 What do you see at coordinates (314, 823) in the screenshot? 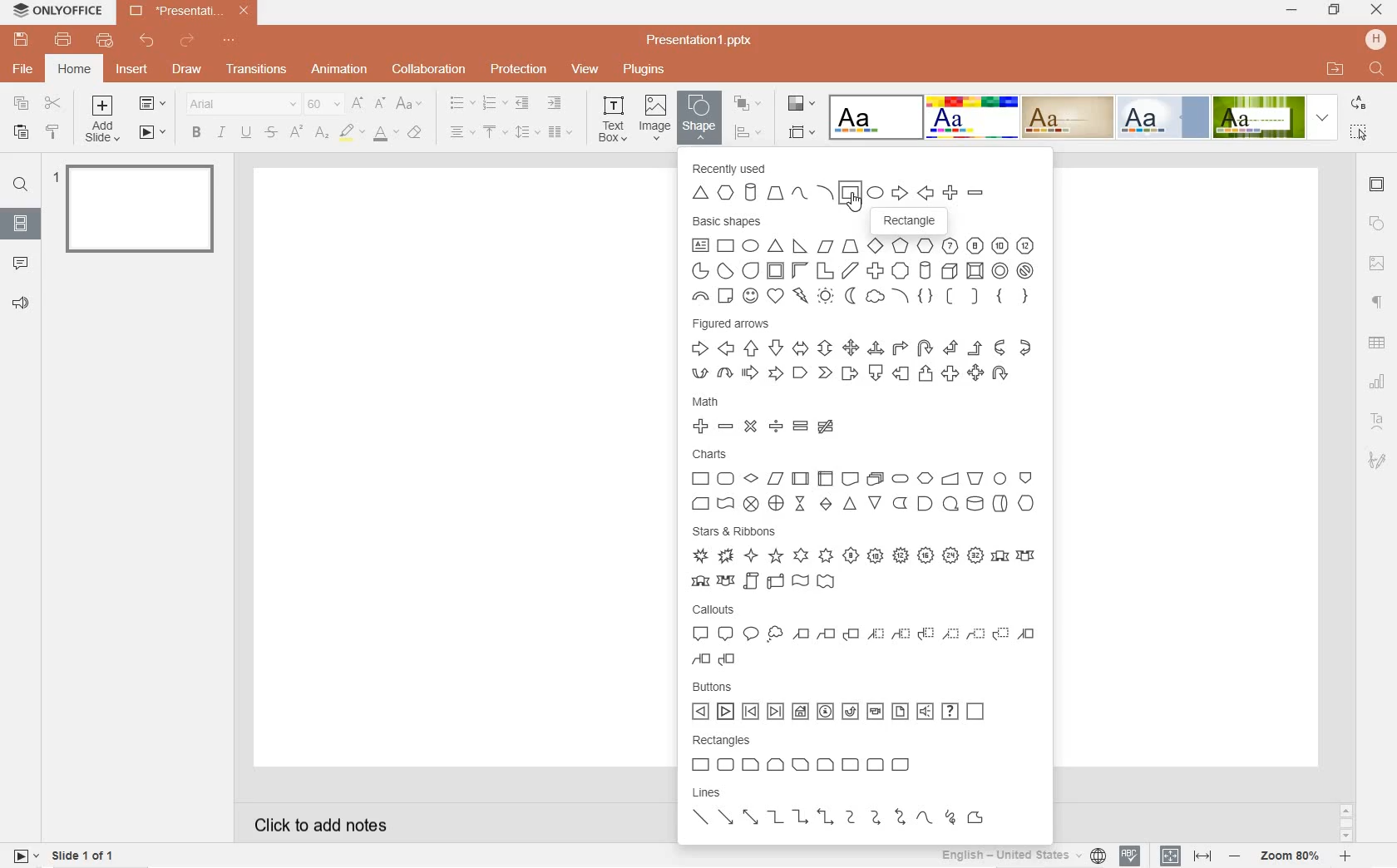
I see `click to add notes` at bounding box center [314, 823].